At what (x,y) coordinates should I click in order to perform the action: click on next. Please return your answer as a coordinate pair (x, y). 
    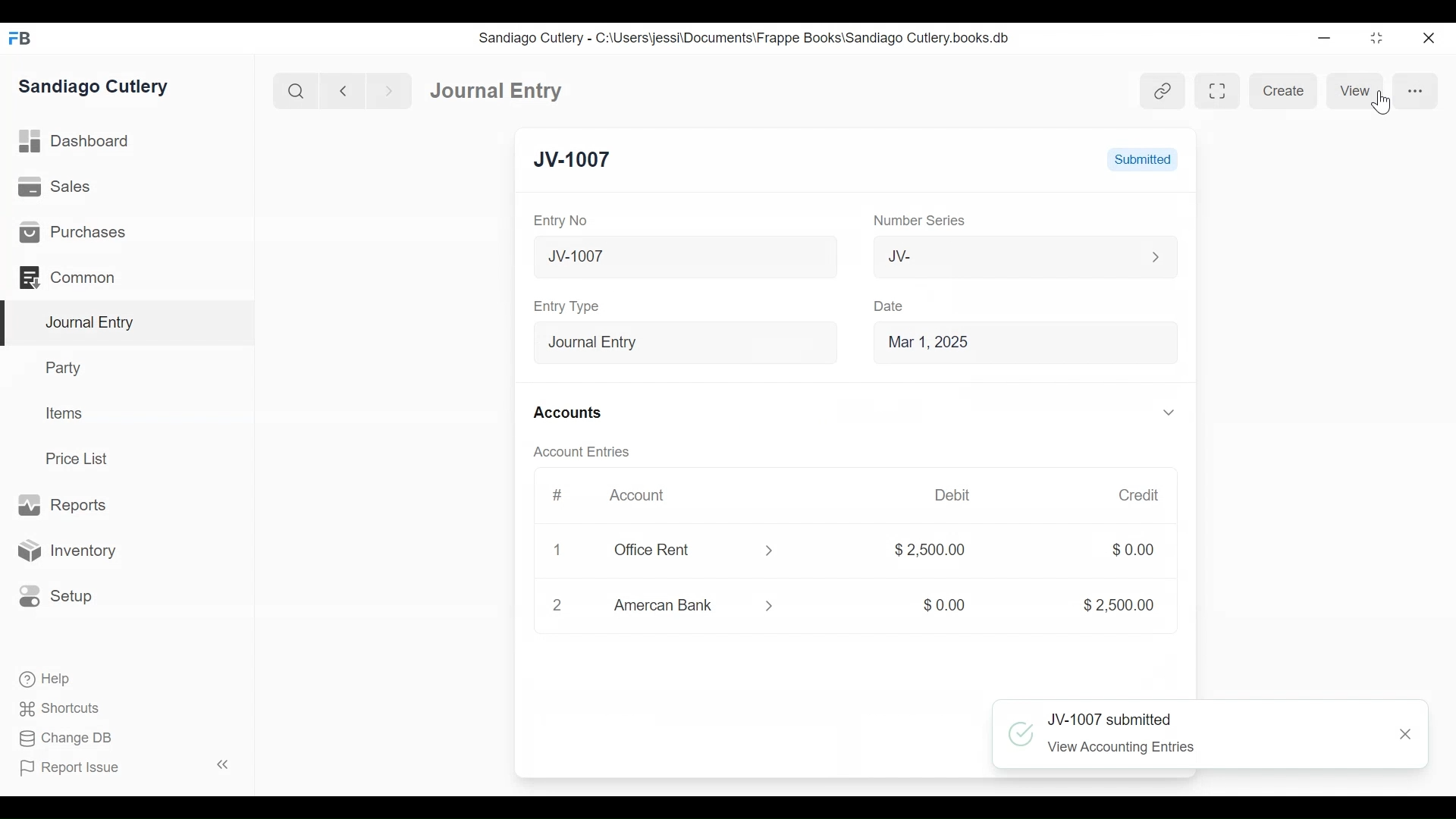
    Looking at the image, I should click on (384, 89).